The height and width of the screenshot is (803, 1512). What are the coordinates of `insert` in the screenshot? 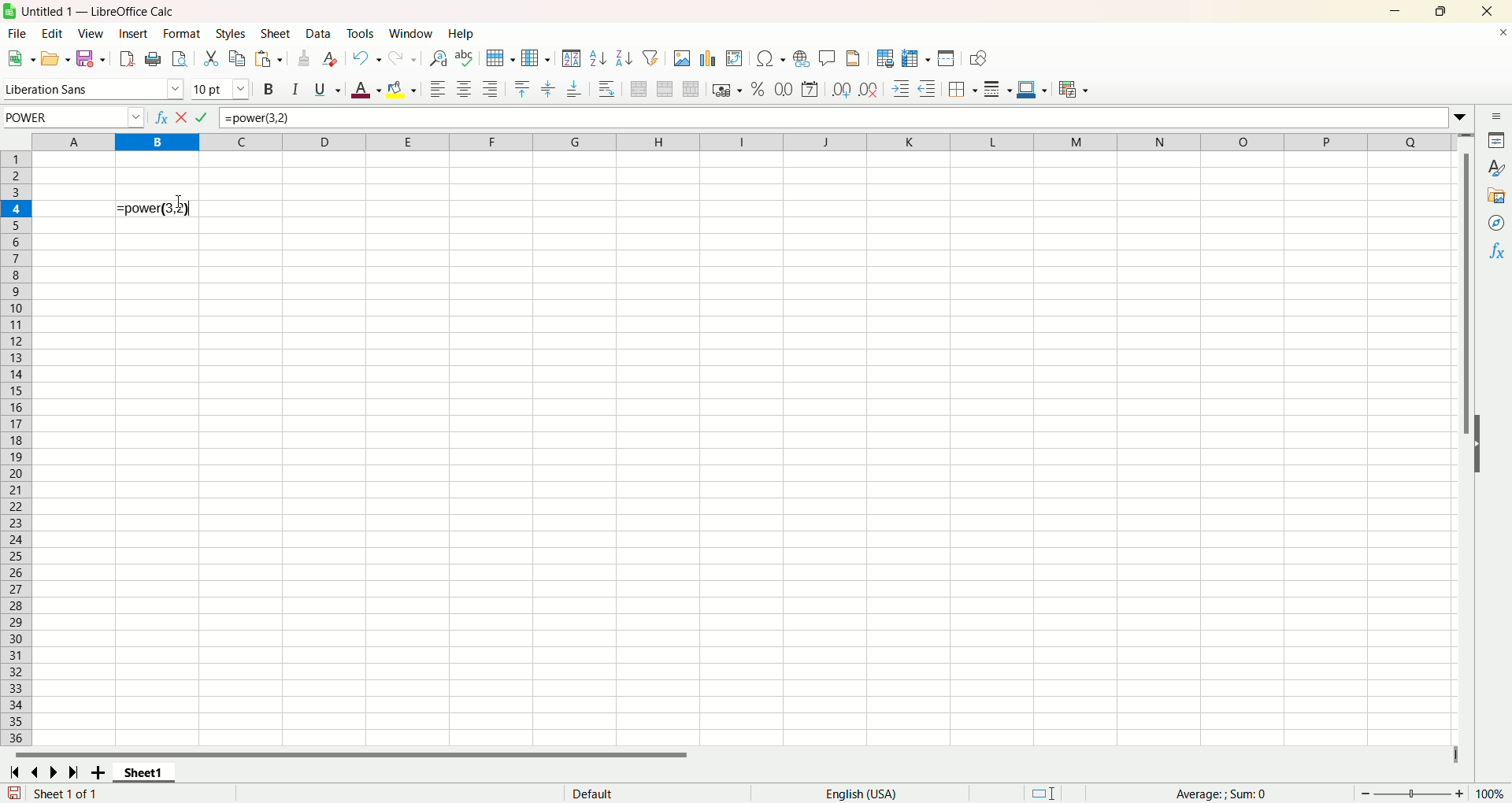 It's located at (134, 34).